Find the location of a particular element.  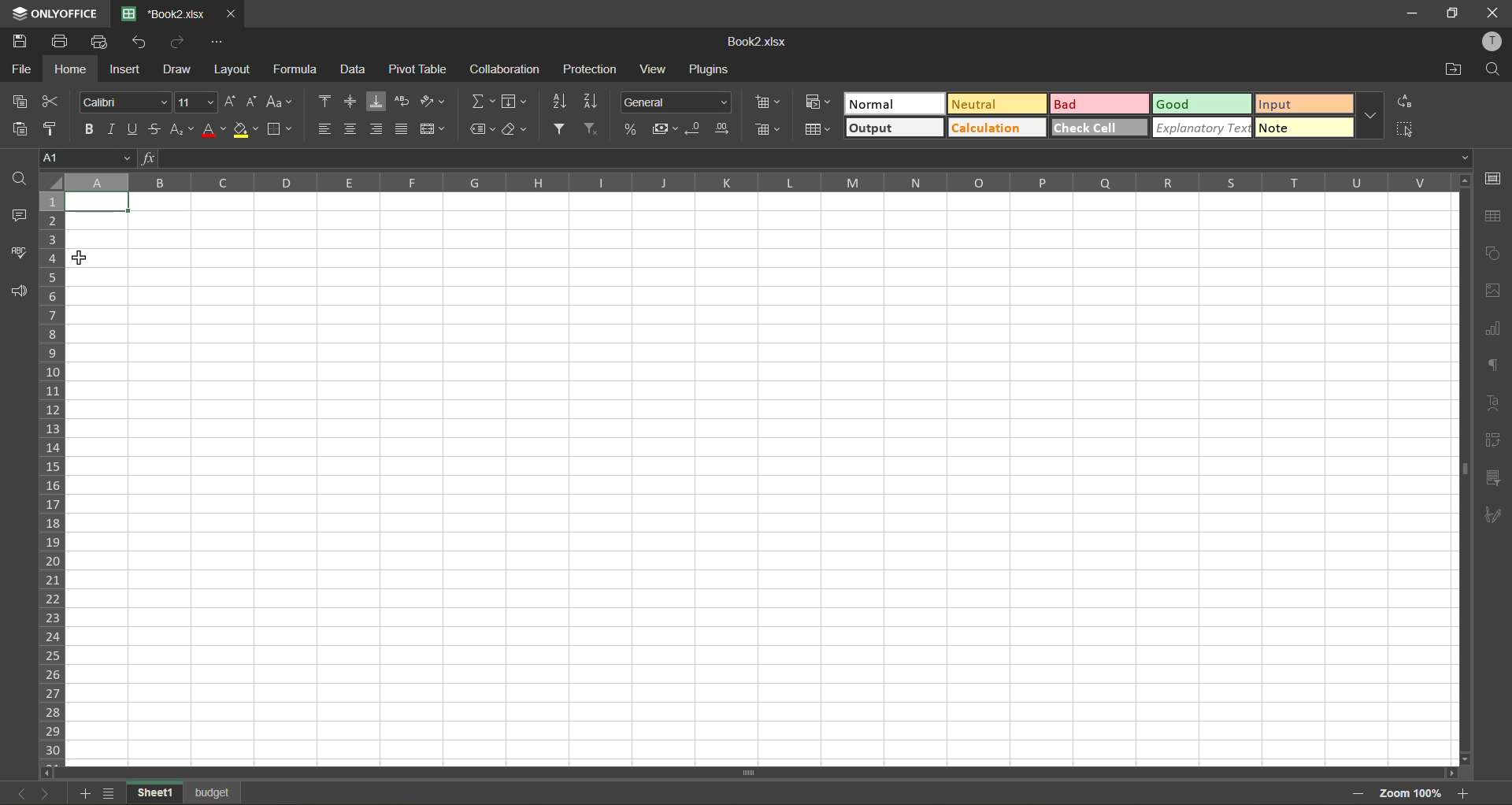

insert cells is located at coordinates (769, 103).